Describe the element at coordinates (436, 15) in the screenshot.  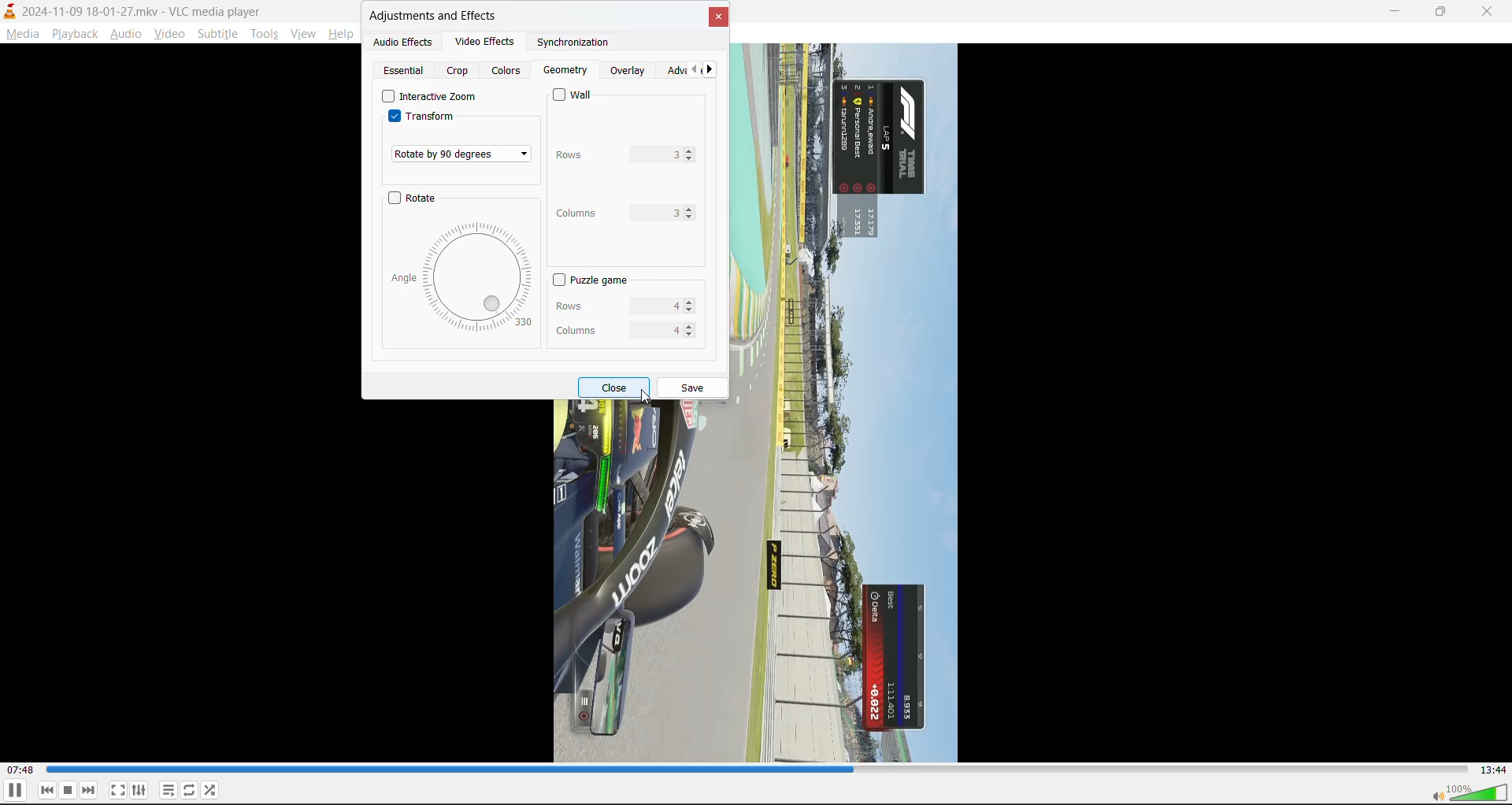
I see `adjustments and effects` at that location.